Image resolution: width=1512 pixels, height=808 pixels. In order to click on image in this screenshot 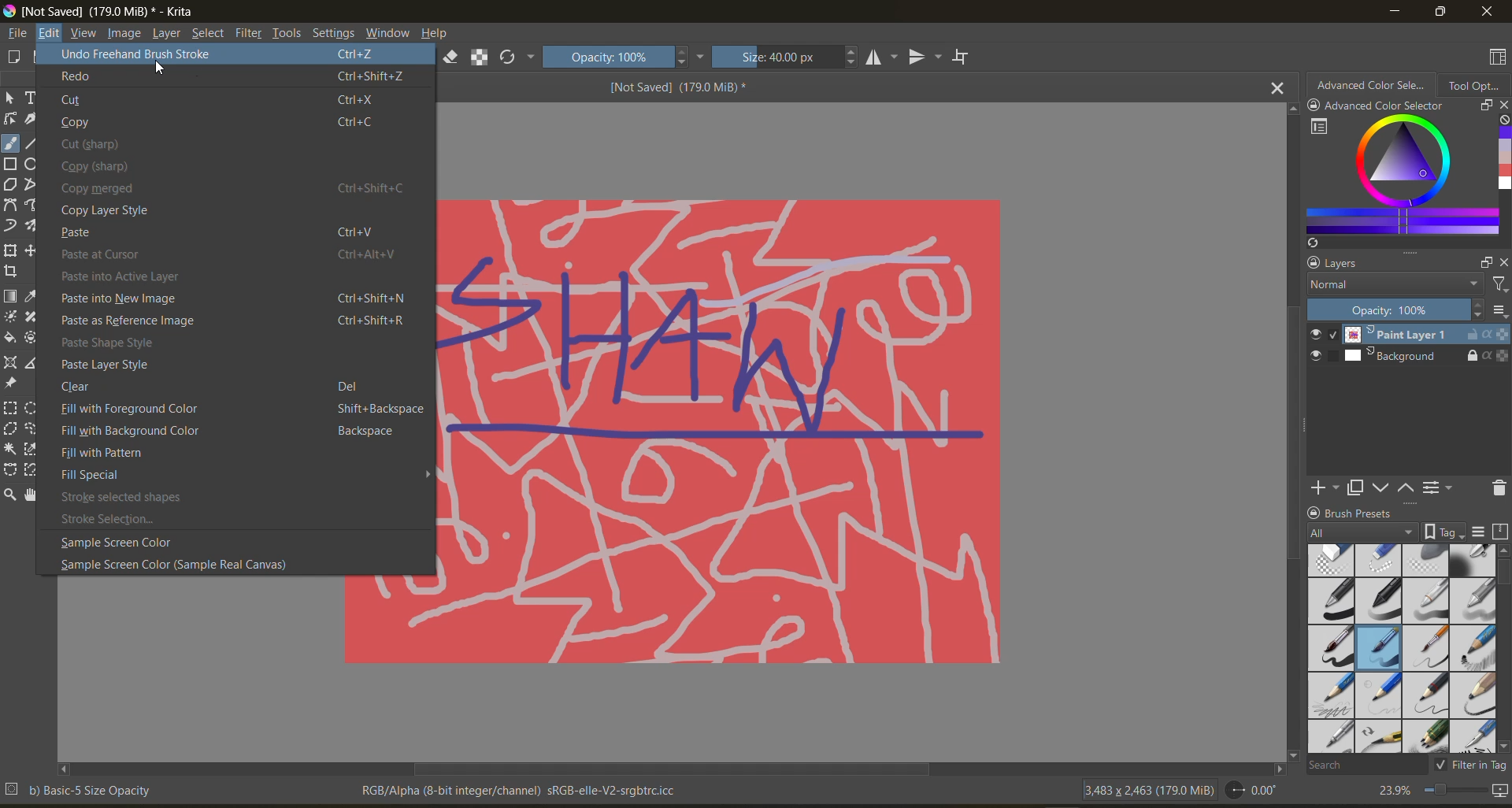, I will do `click(126, 34)`.